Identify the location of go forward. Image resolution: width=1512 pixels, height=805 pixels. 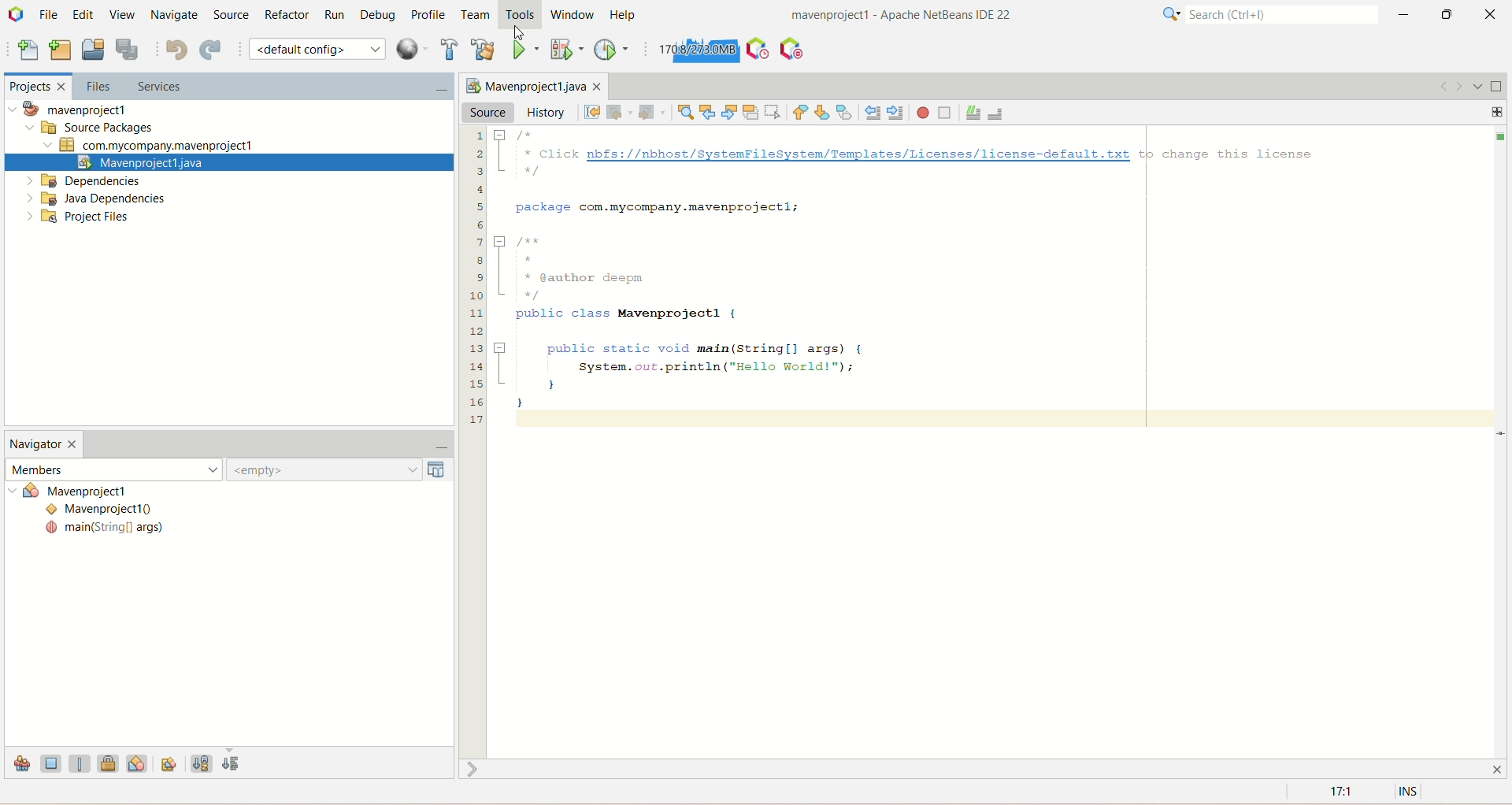
(1458, 86).